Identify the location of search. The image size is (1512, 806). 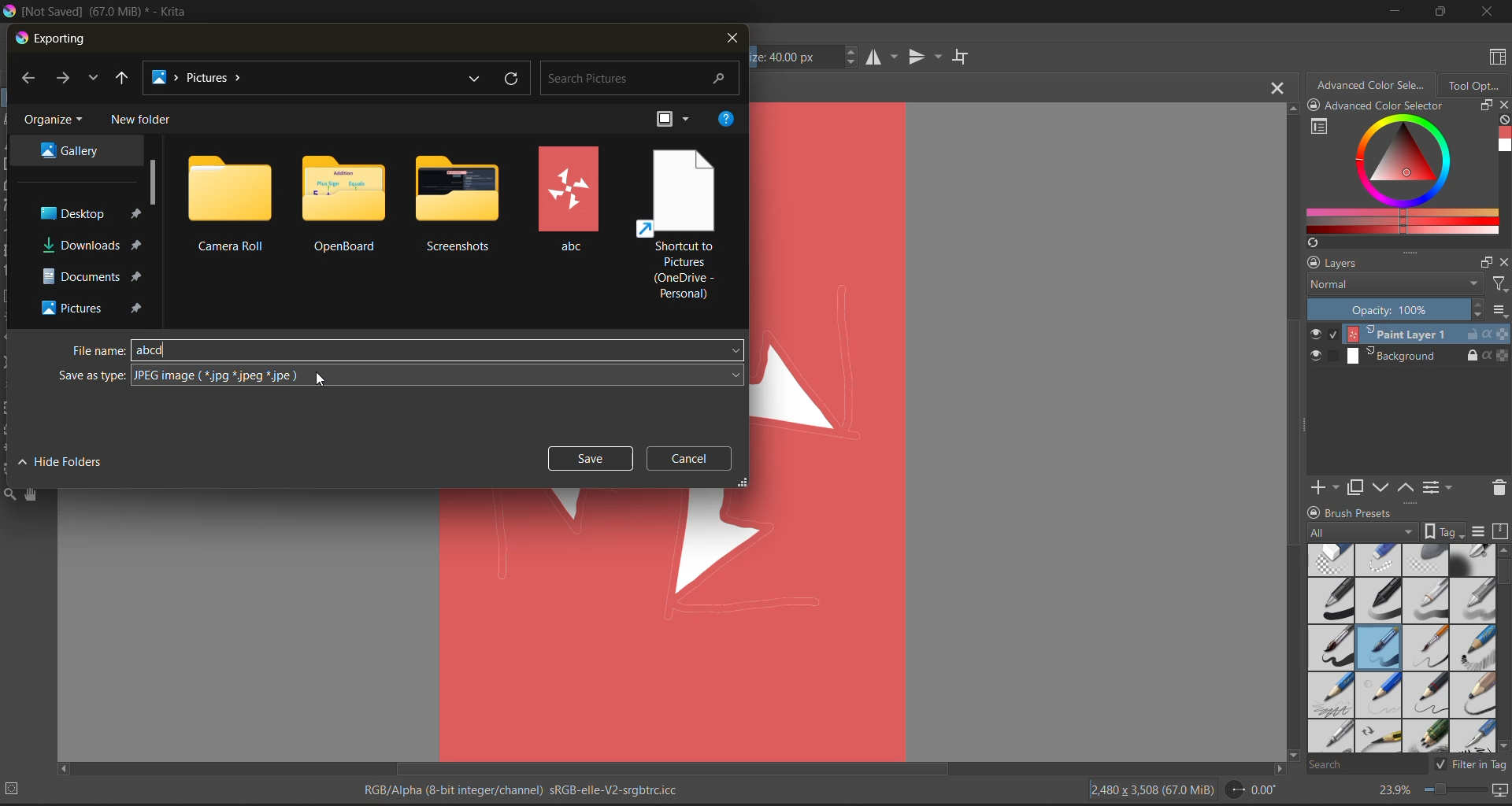
(641, 79).